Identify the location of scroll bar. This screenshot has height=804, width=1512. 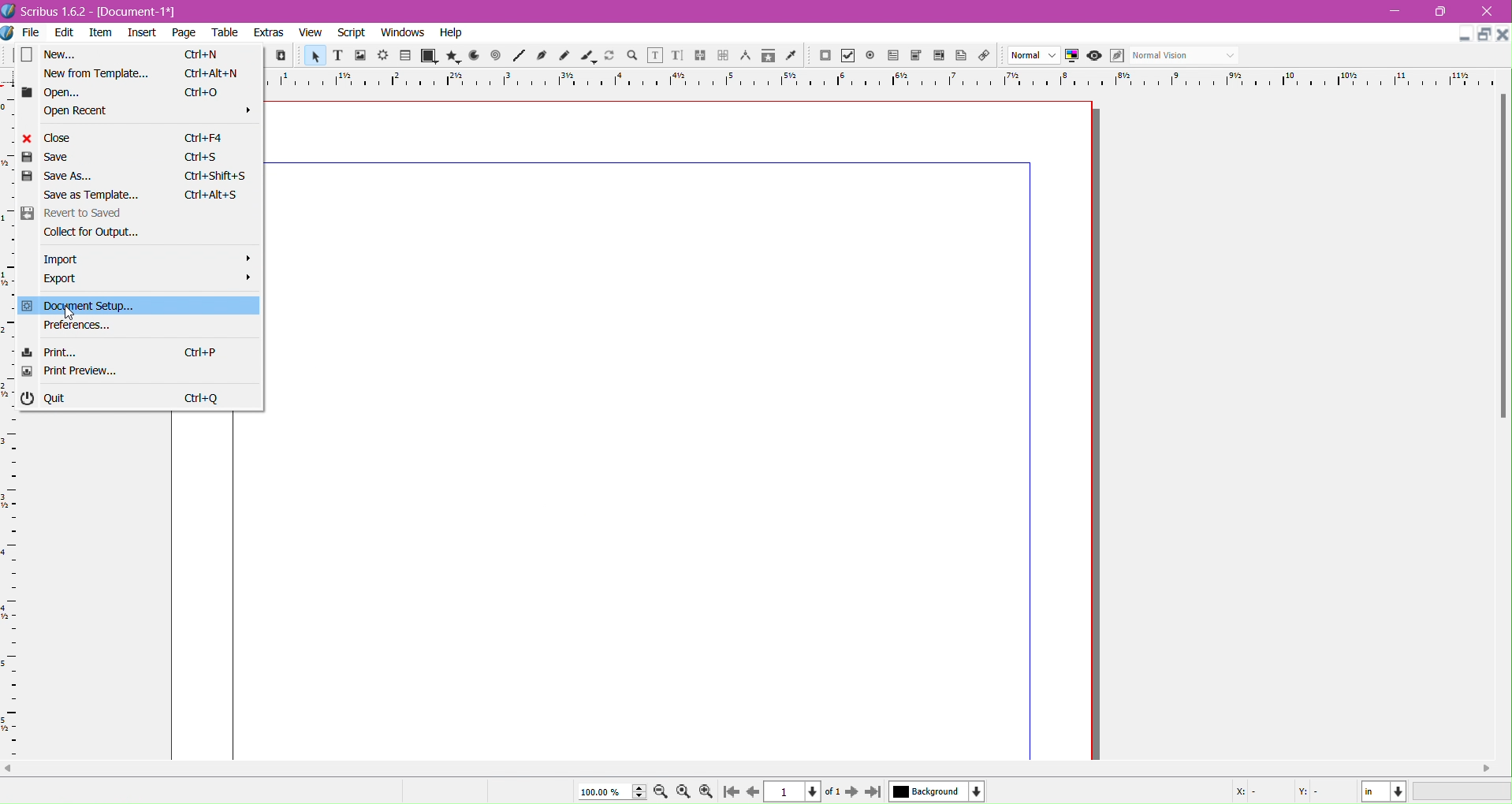
(1503, 257).